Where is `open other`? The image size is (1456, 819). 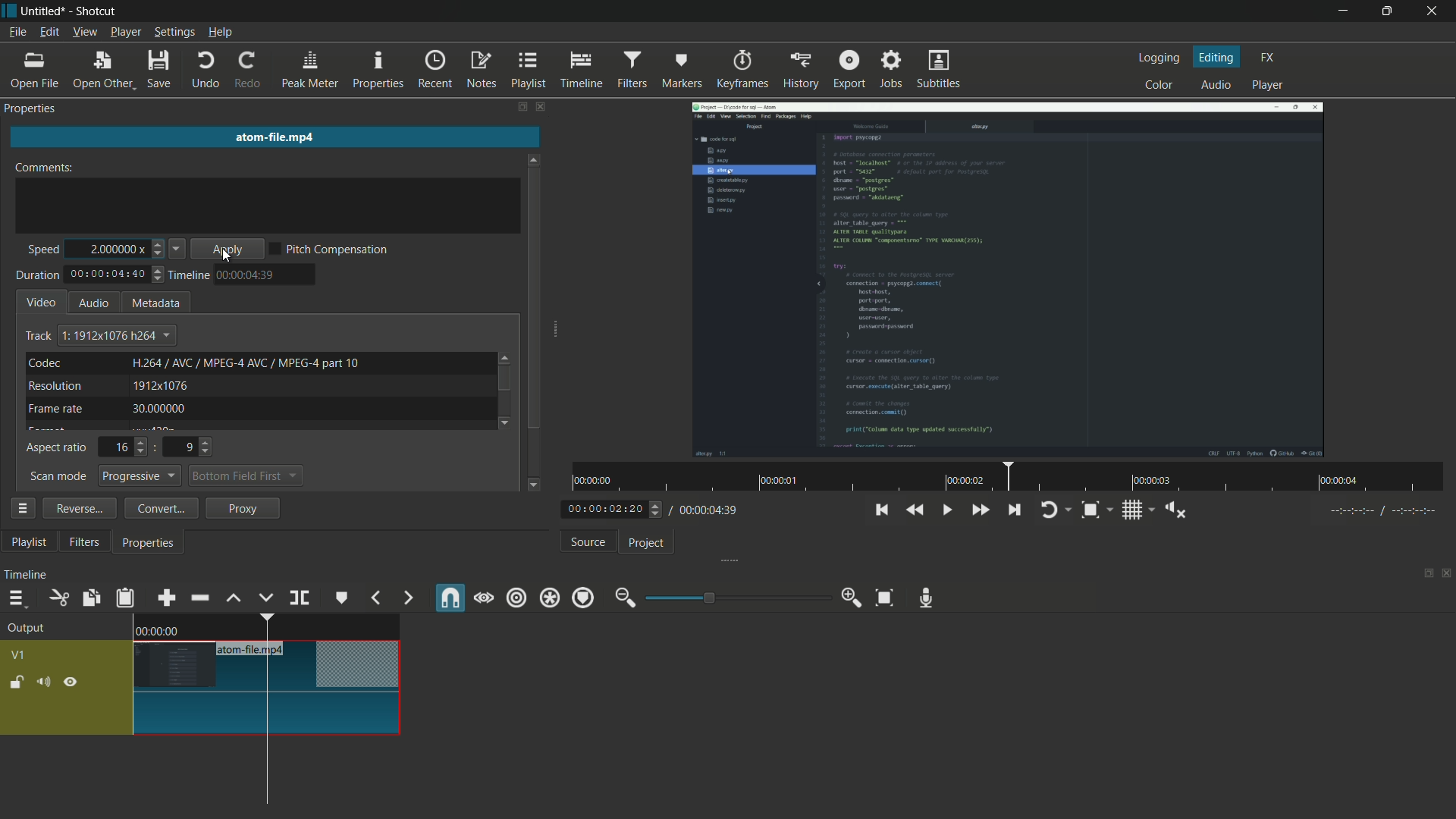
open other is located at coordinates (102, 71).